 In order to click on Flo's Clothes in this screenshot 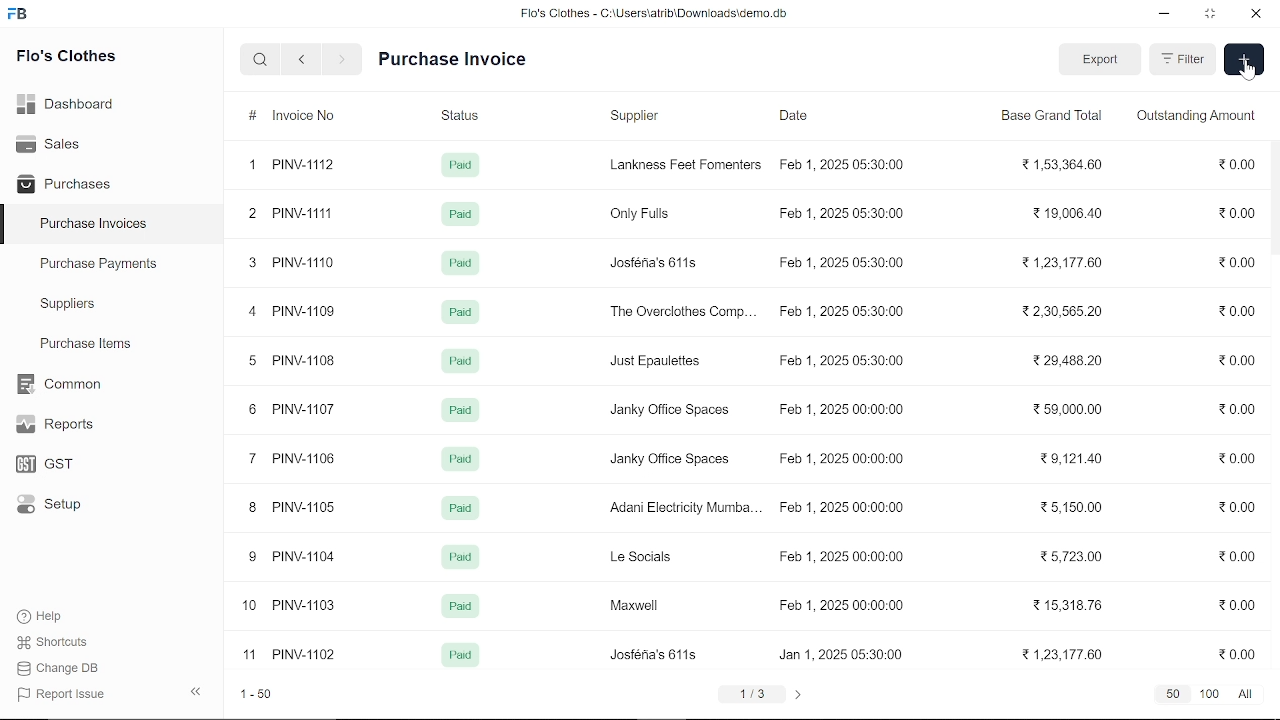, I will do `click(66, 57)`.